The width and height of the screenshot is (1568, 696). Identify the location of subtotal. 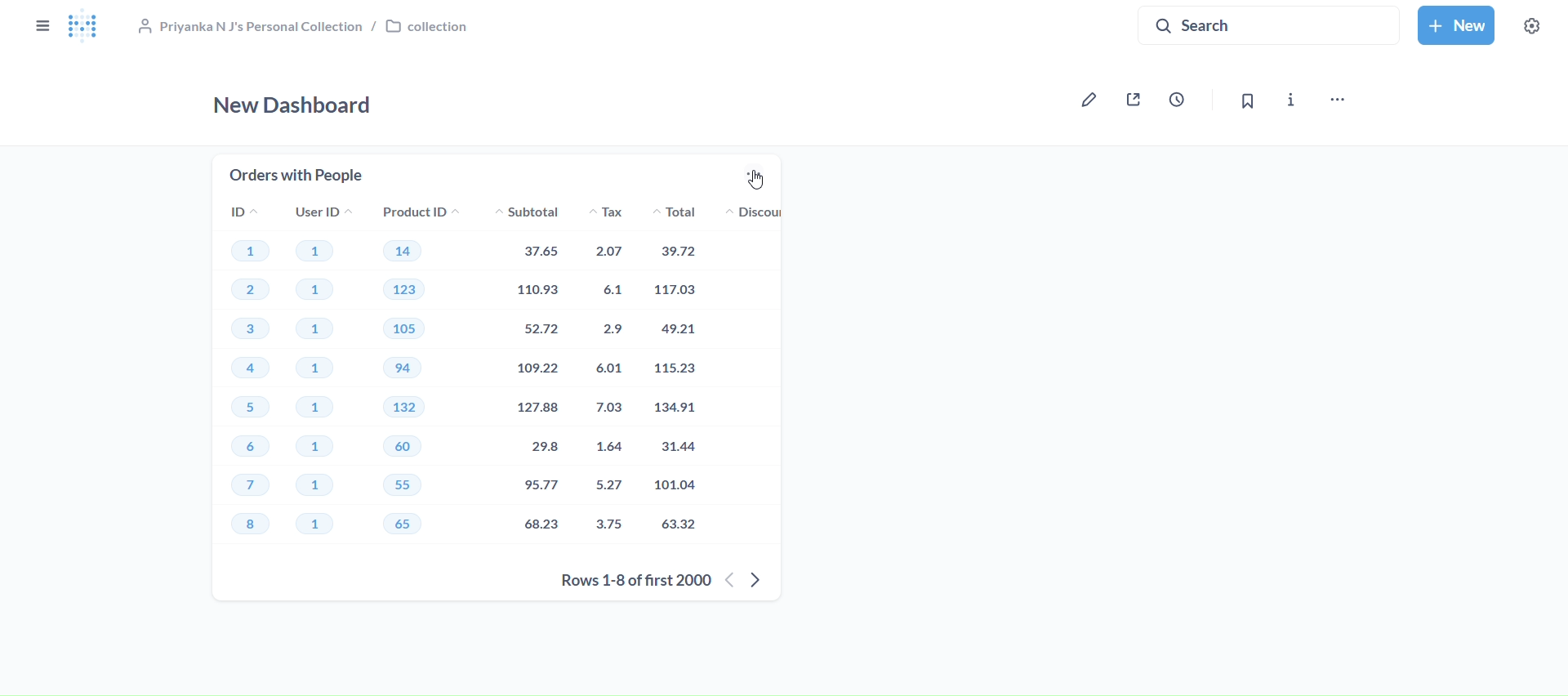
(532, 377).